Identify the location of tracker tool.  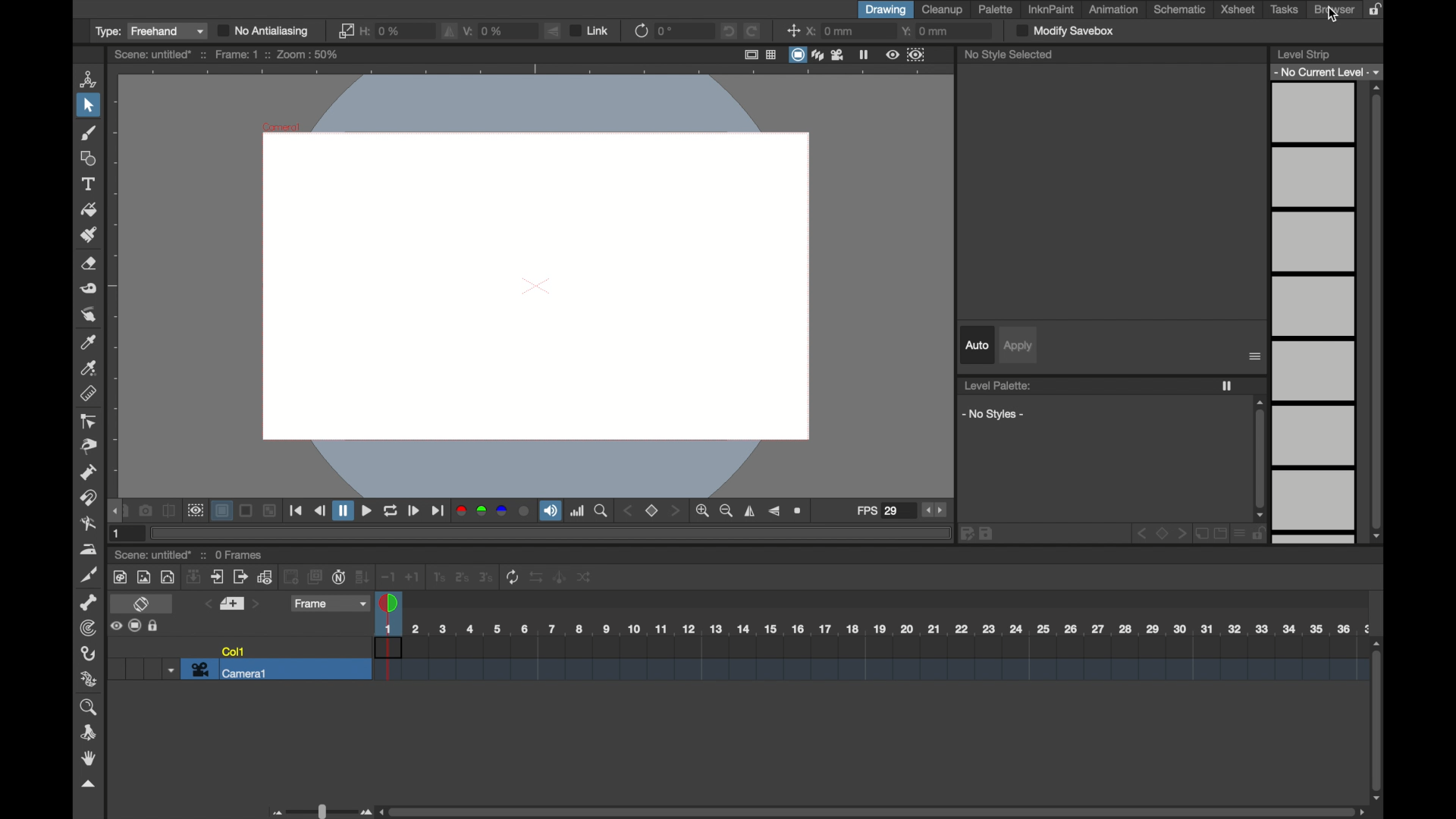
(89, 628).